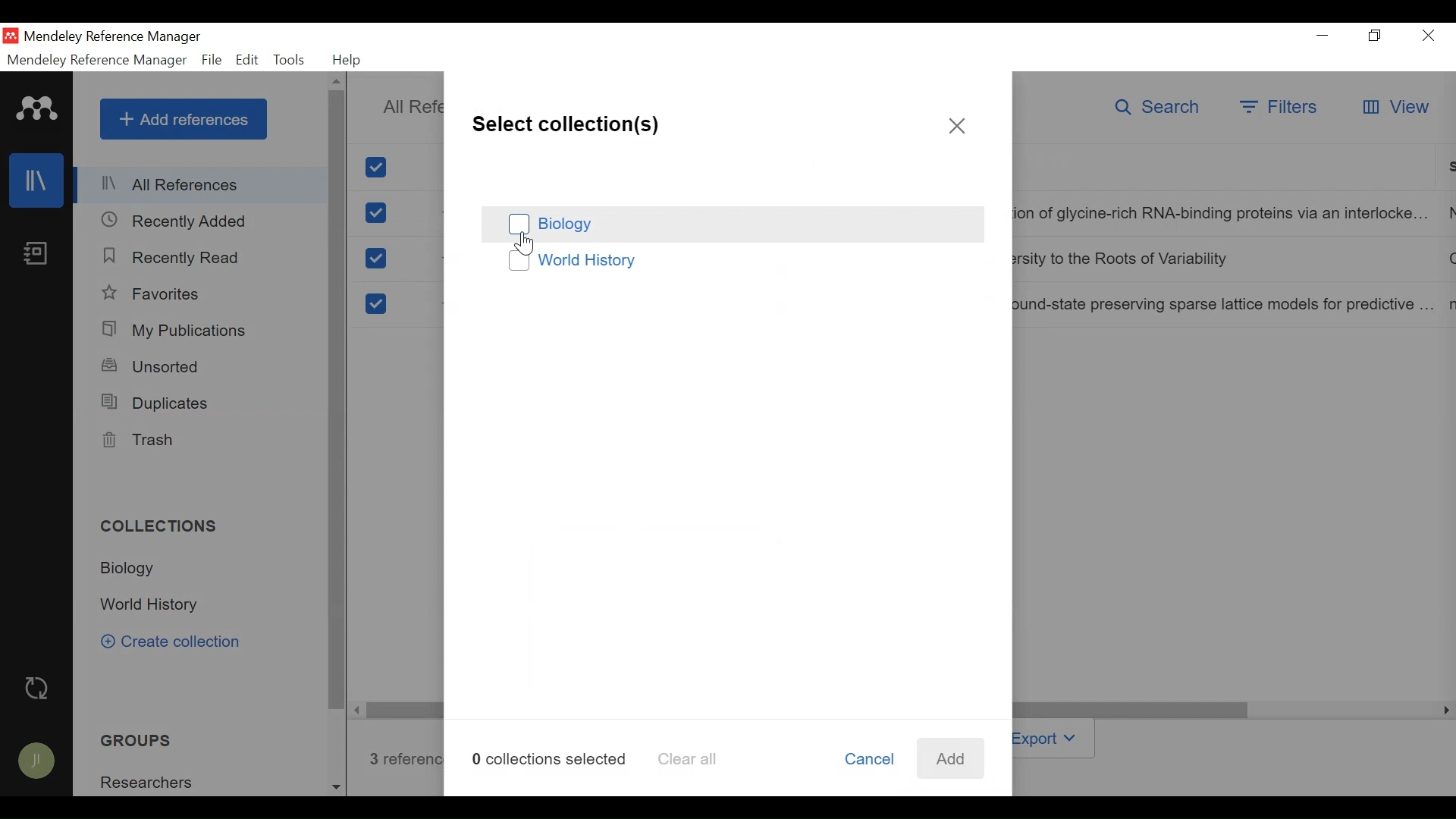  I want to click on Mendeley Reference Manager, so click(113, 37).